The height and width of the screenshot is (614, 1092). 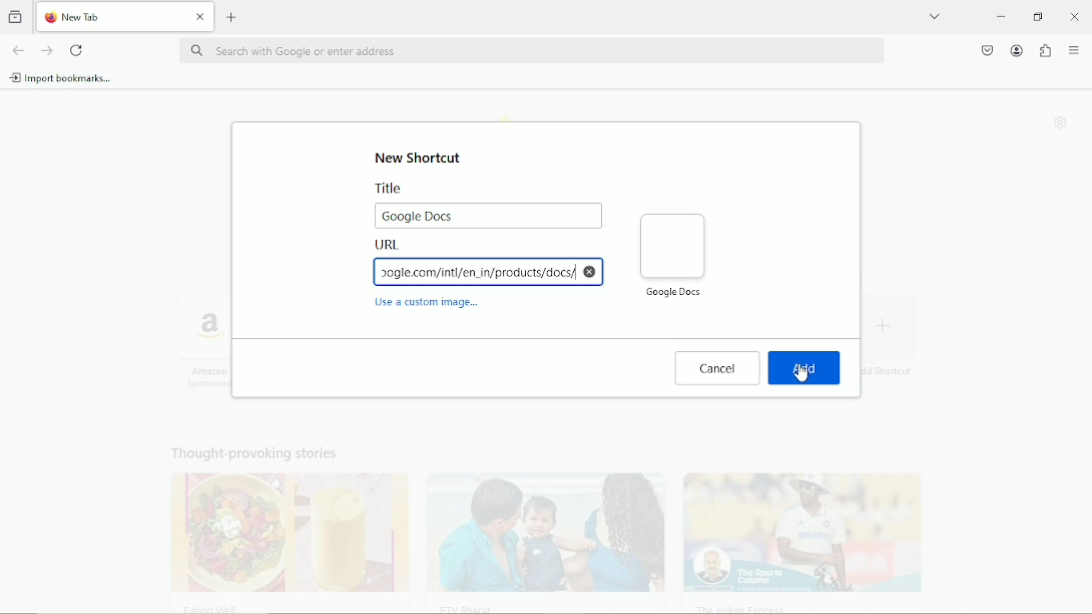 What do you see at coordinates (201, 17) in the screenshot?
I see `Close Tab` at bounding box center [201, 17].